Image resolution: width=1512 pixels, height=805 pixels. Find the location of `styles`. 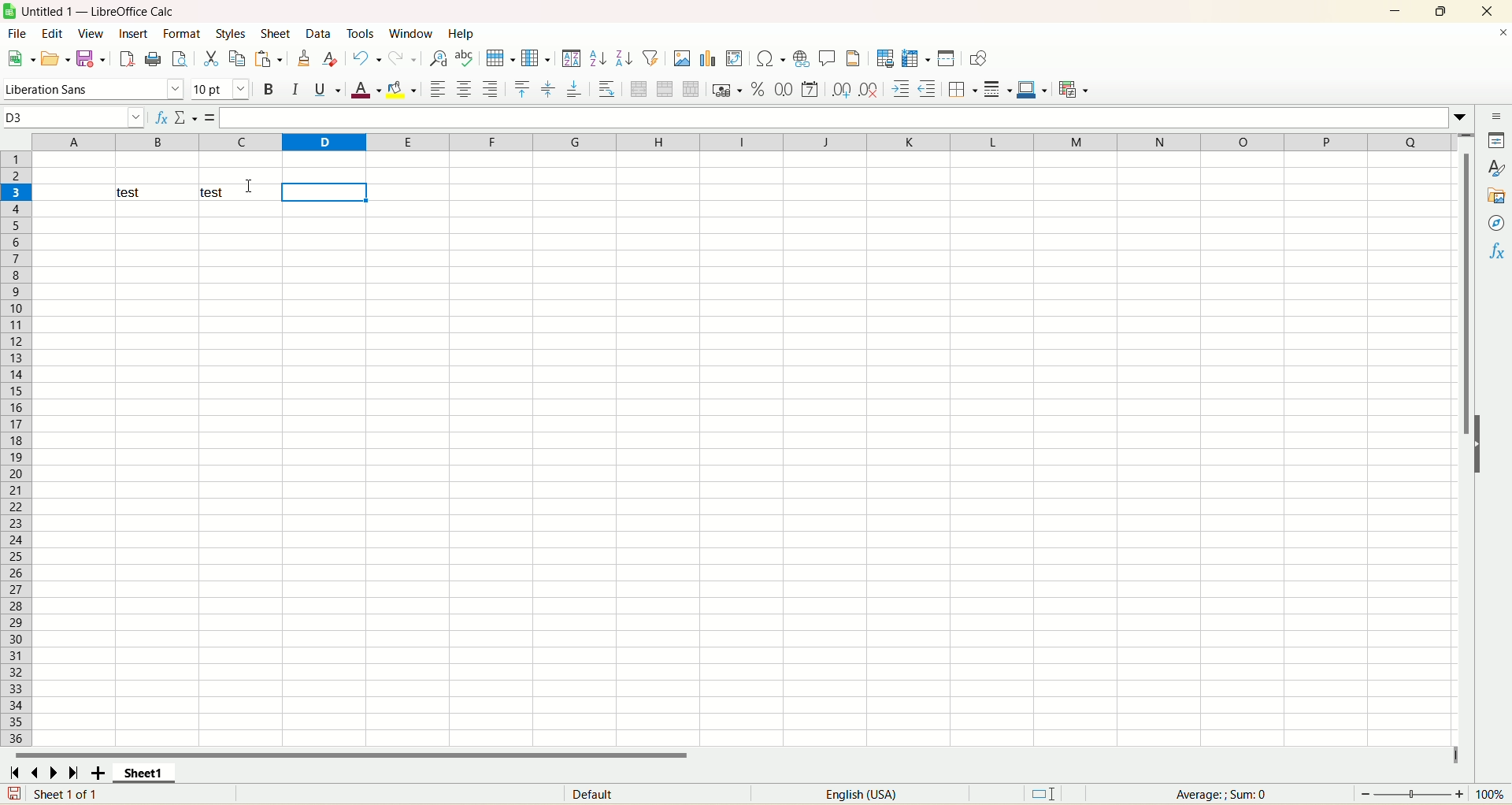

styles is located at coordinates (1495, 169).